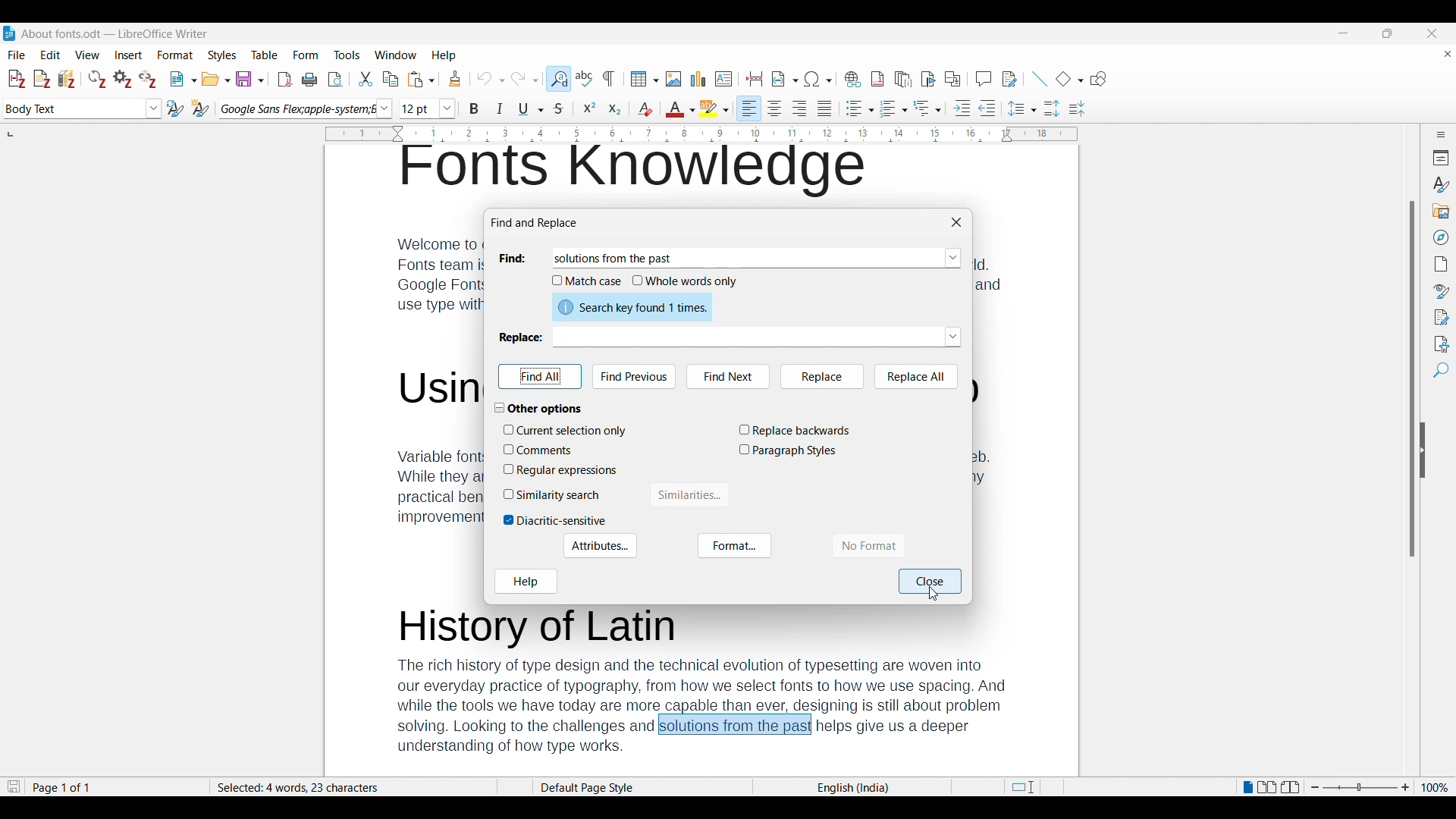  Describe the element at coordinates (1360, 788) in the screenshot. I see `Zoom in/out slider` at that location.